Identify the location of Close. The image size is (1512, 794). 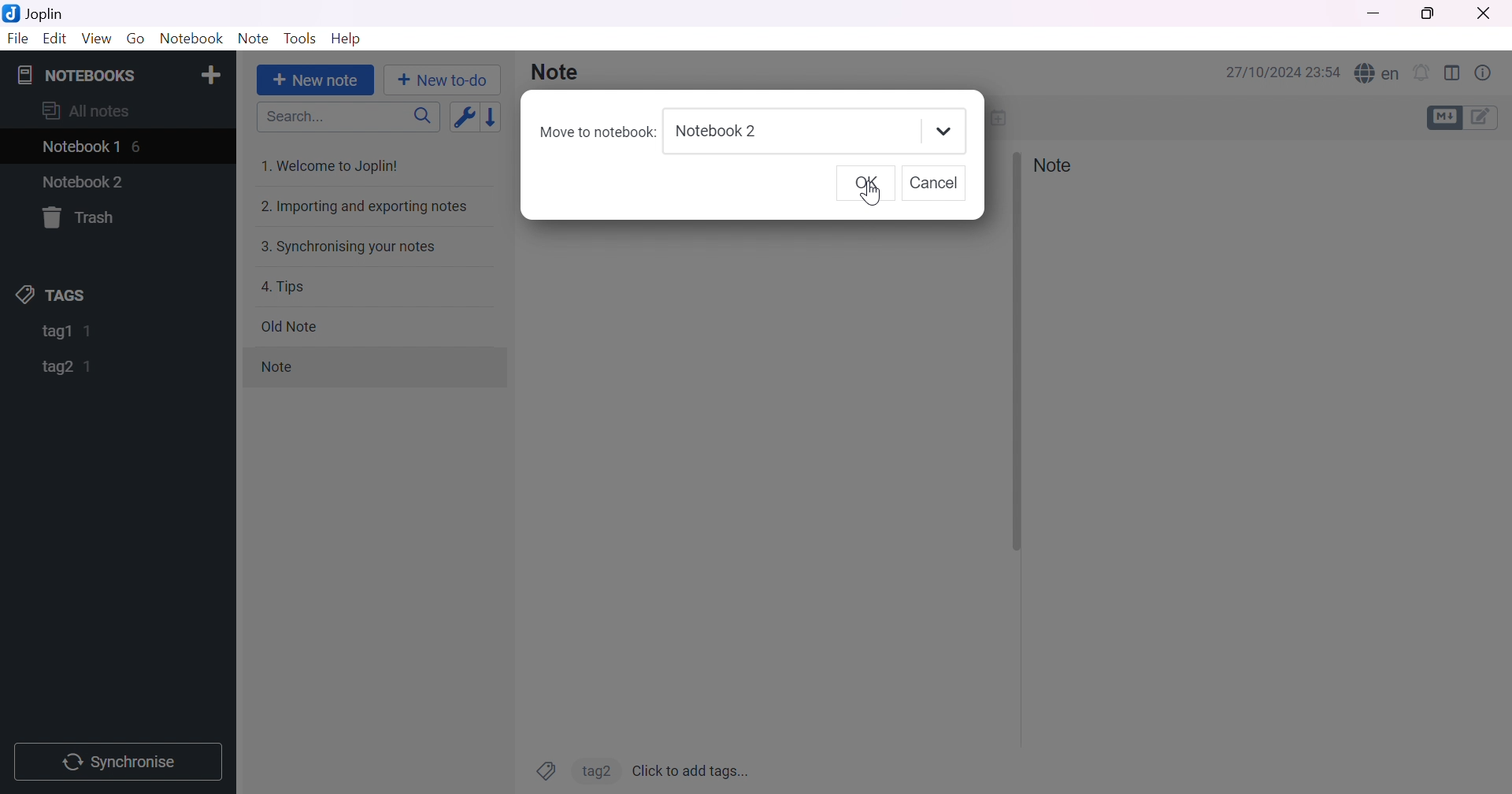
(1481, 12).